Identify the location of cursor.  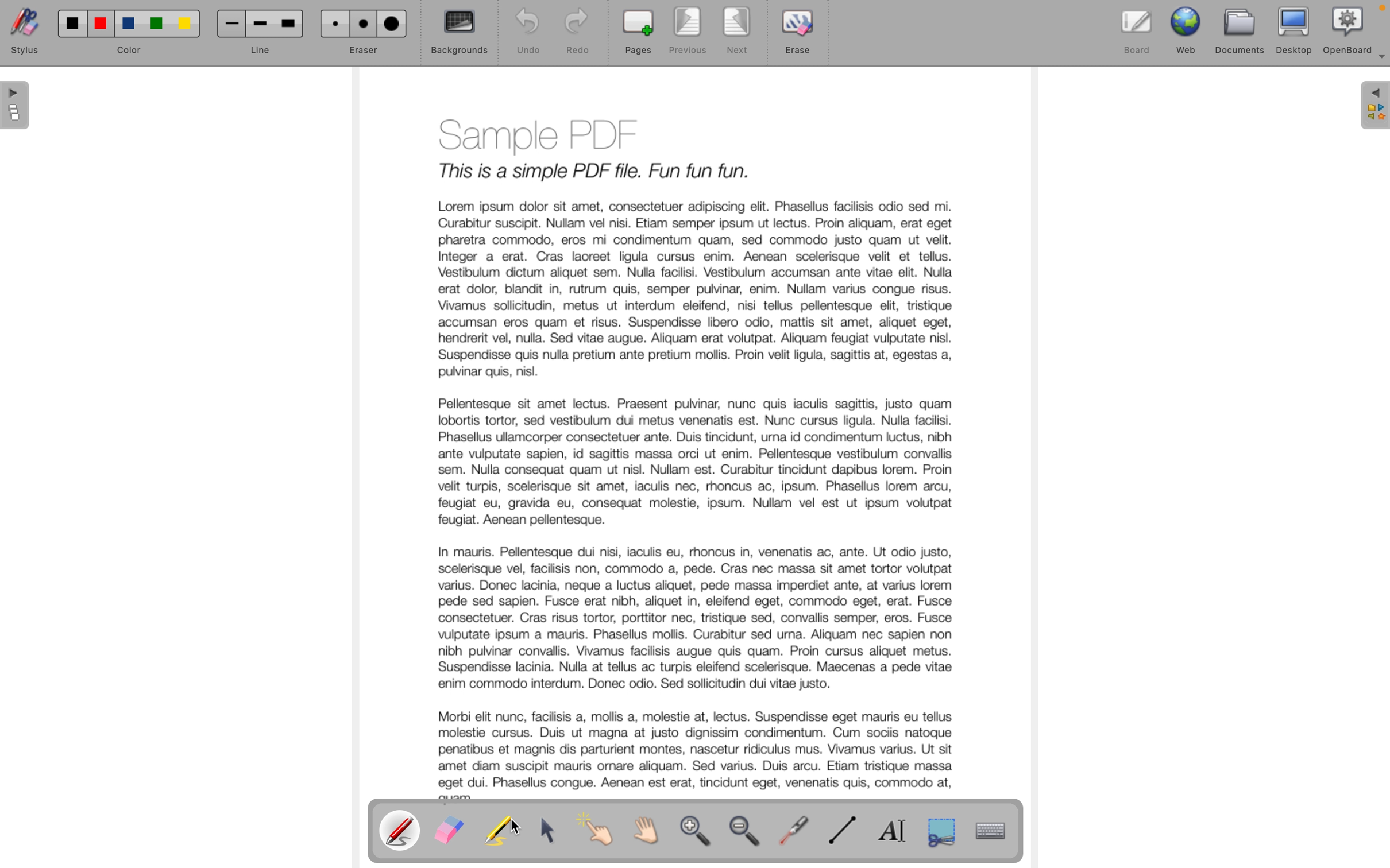
(518, 828).